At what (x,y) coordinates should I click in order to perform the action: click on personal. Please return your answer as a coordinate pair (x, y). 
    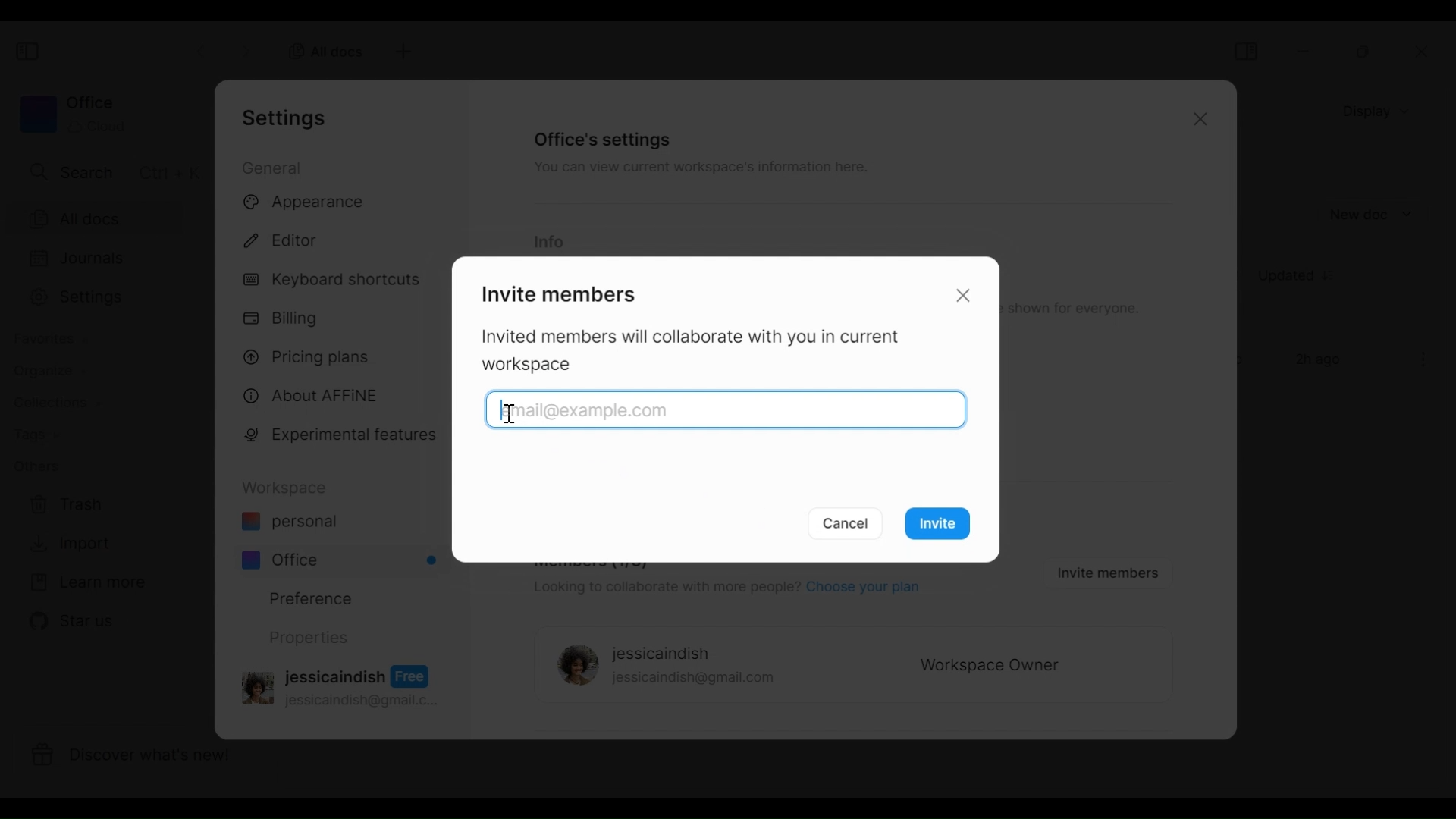
    Looking at the image, I should click on (289, 523).